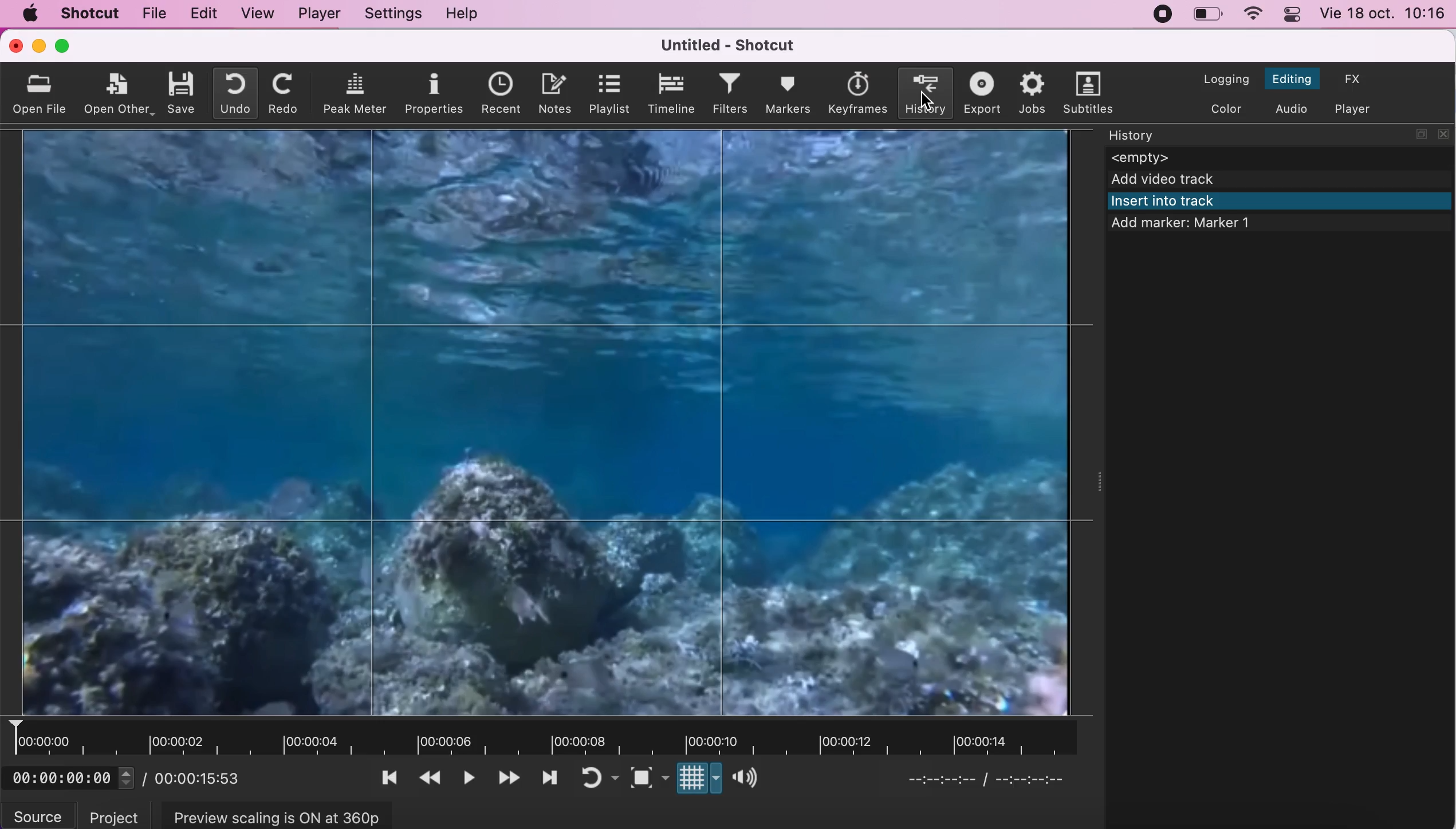  Describe the element at coordinates (258, 14) in the screenshot. I see `view` at that location.